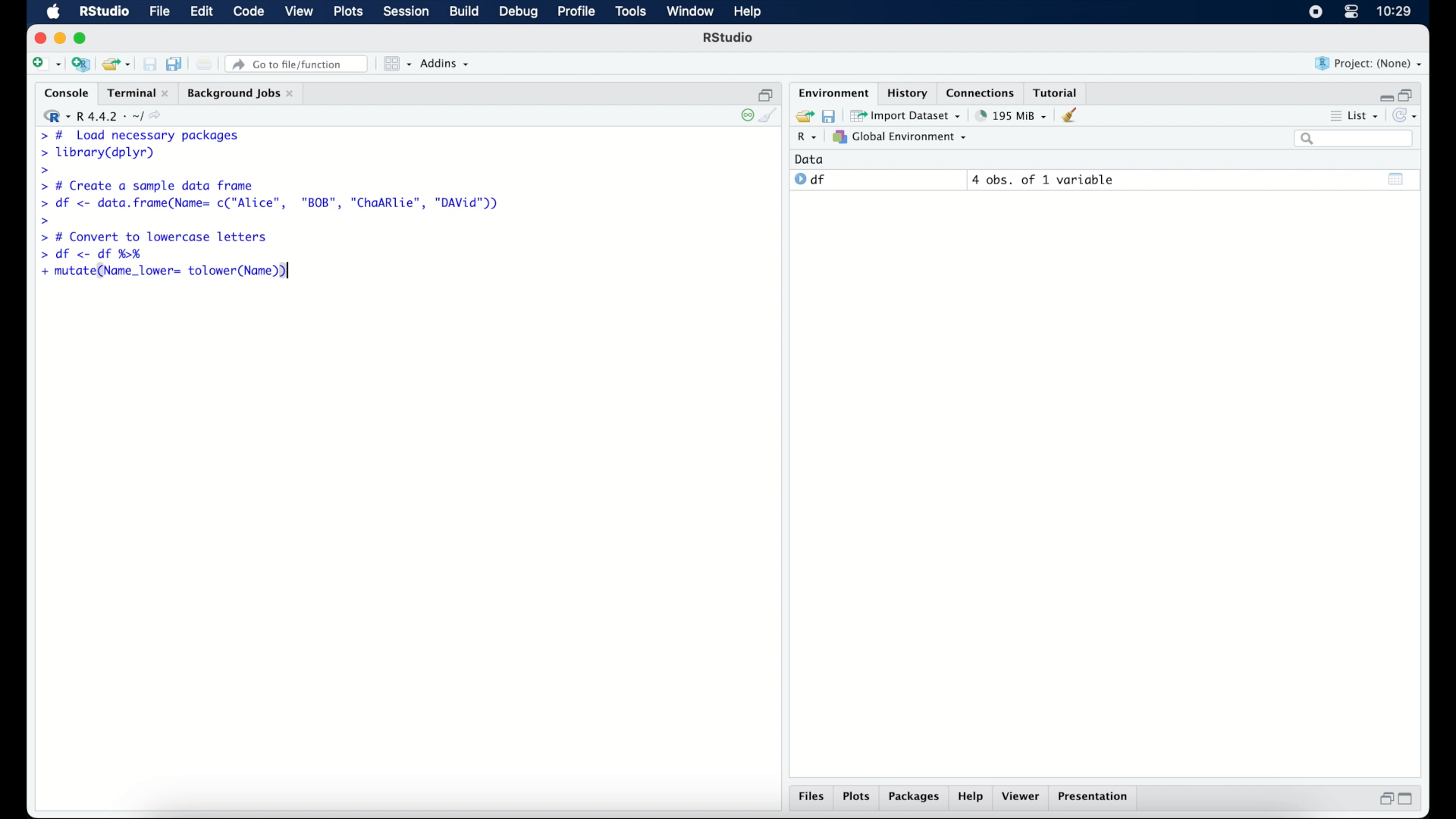 This screenshot has height=819, width=1456. What do you see at coordinates (106, 117) in the screenshot?
I see `R 4.4.2` at bounding box center [106, 117].